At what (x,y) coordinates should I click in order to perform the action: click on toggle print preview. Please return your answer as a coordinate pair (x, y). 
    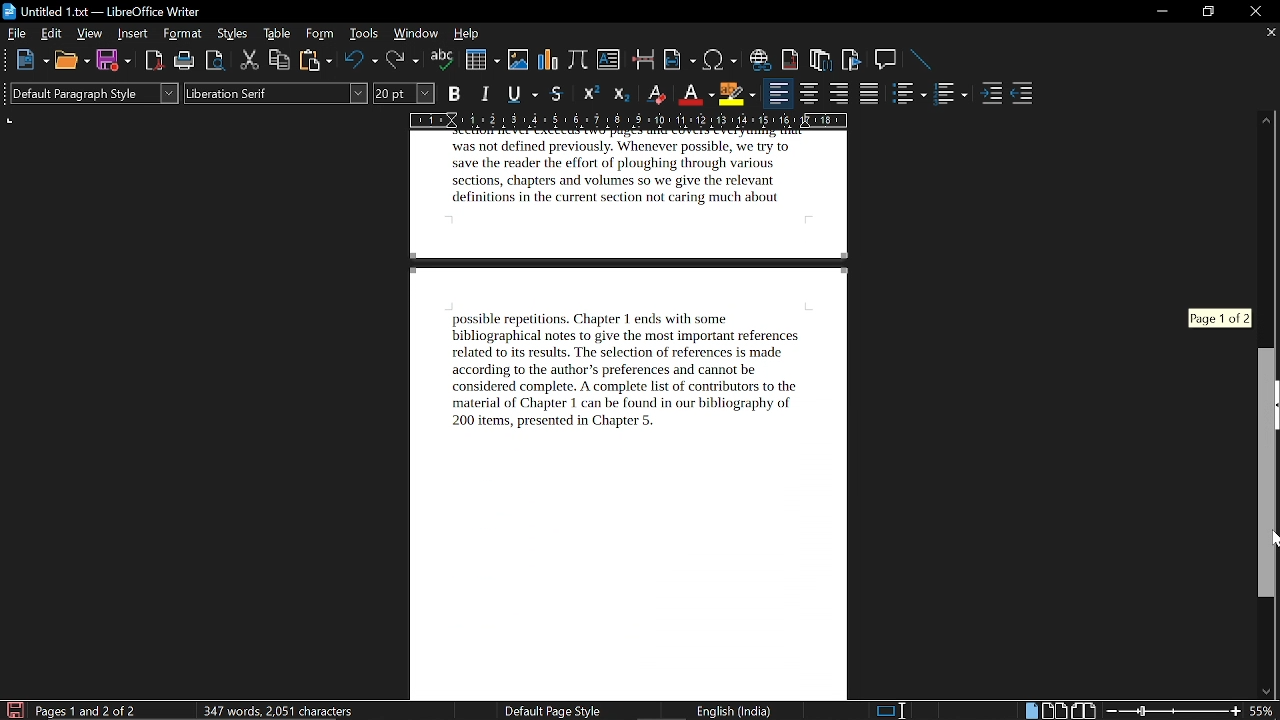
    Looking at the image, I should click on (216, 61).